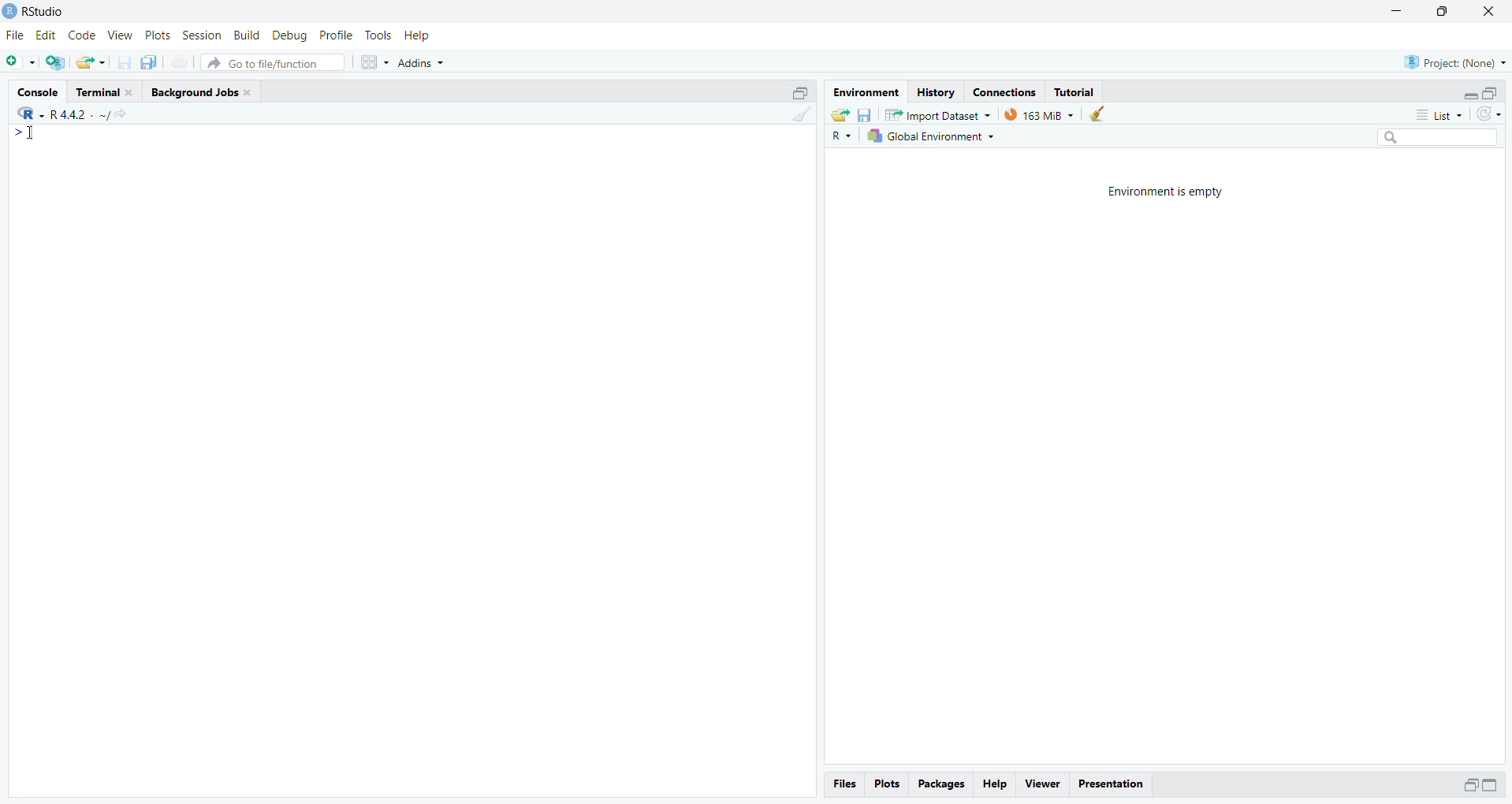  What do you see at coordinates (180, 62) in the screenshot?
I see `print` at bounding box center [180, 62].